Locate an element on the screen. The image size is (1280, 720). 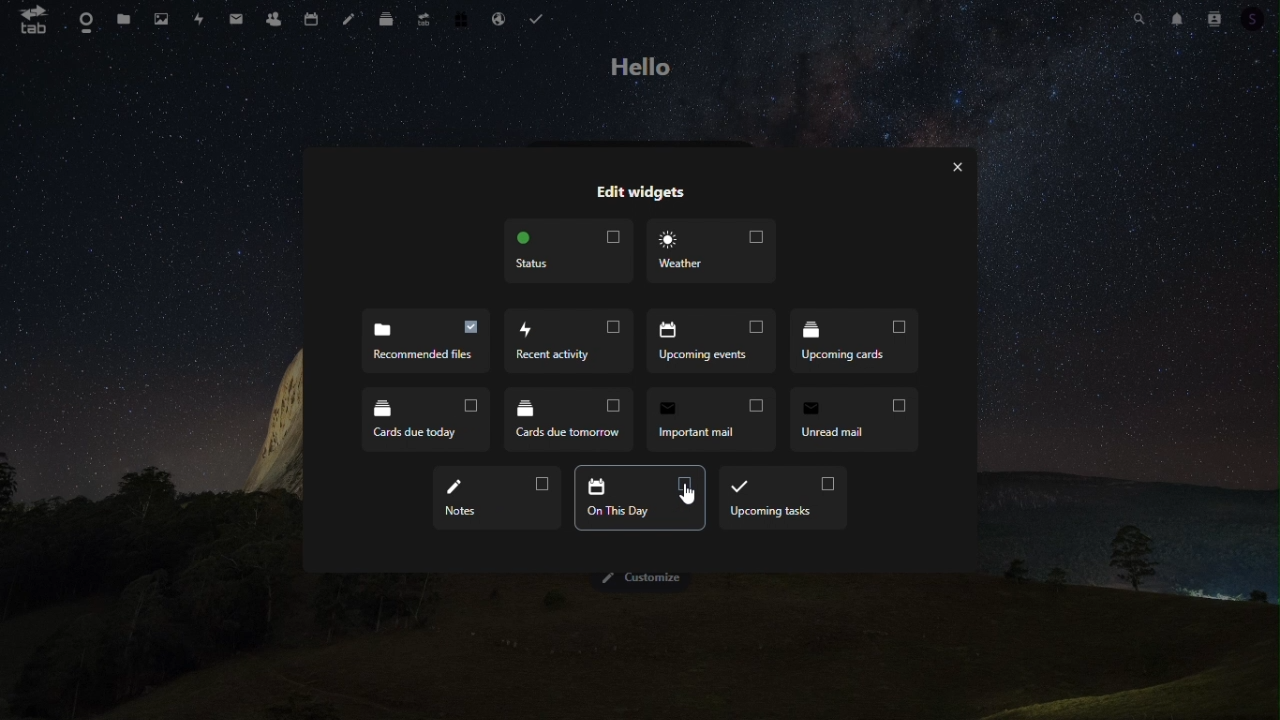
contacts is located at coordinates (274, 18).